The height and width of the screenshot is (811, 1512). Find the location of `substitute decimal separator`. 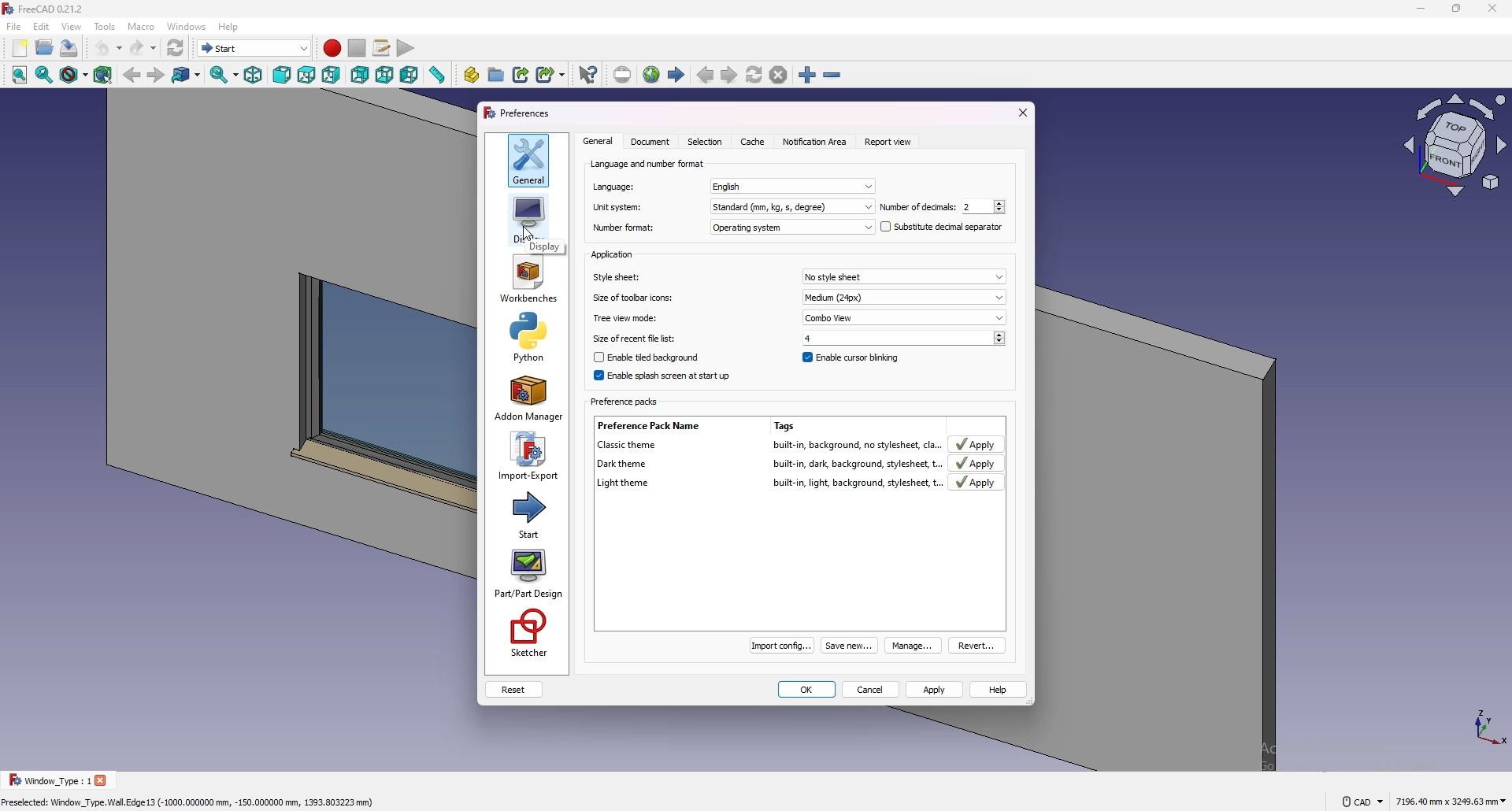

substitute decimal separator is located at coordinates (943, 227).